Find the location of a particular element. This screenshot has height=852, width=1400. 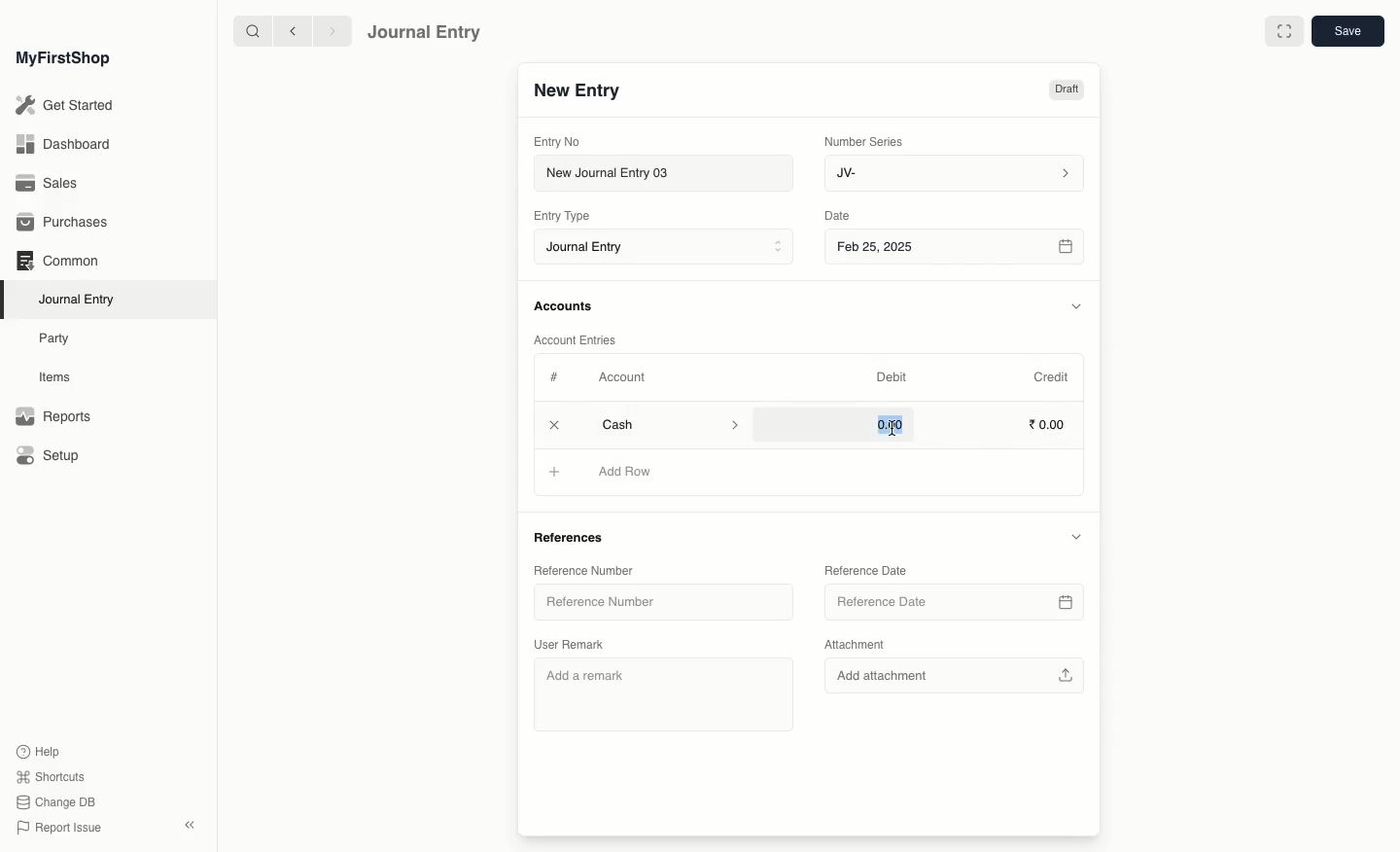

JV- is located at coordinates (952, 173).